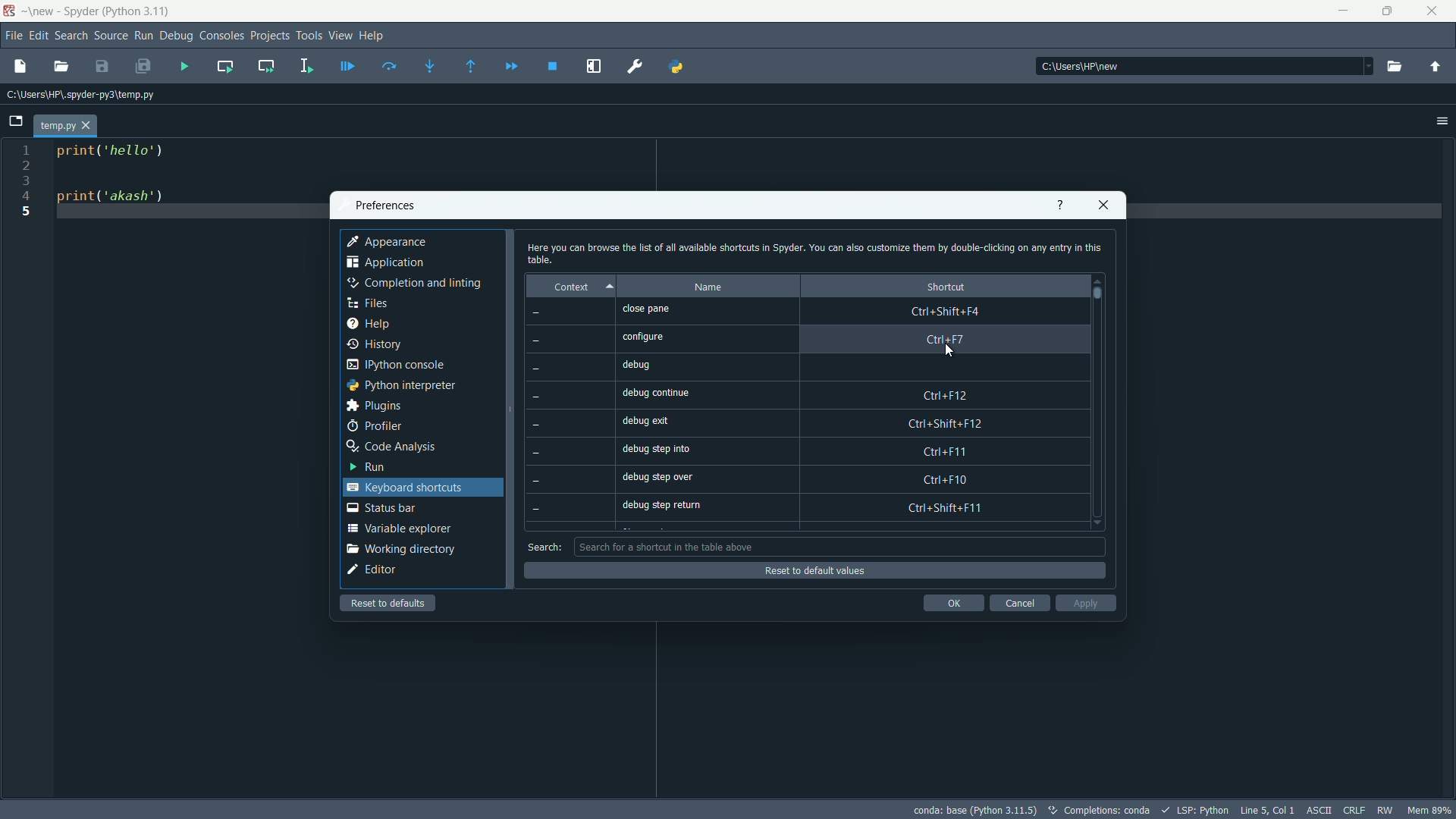 This screenshot has width=1456, height=819. I want to click on debug menu, so click(177, 36).